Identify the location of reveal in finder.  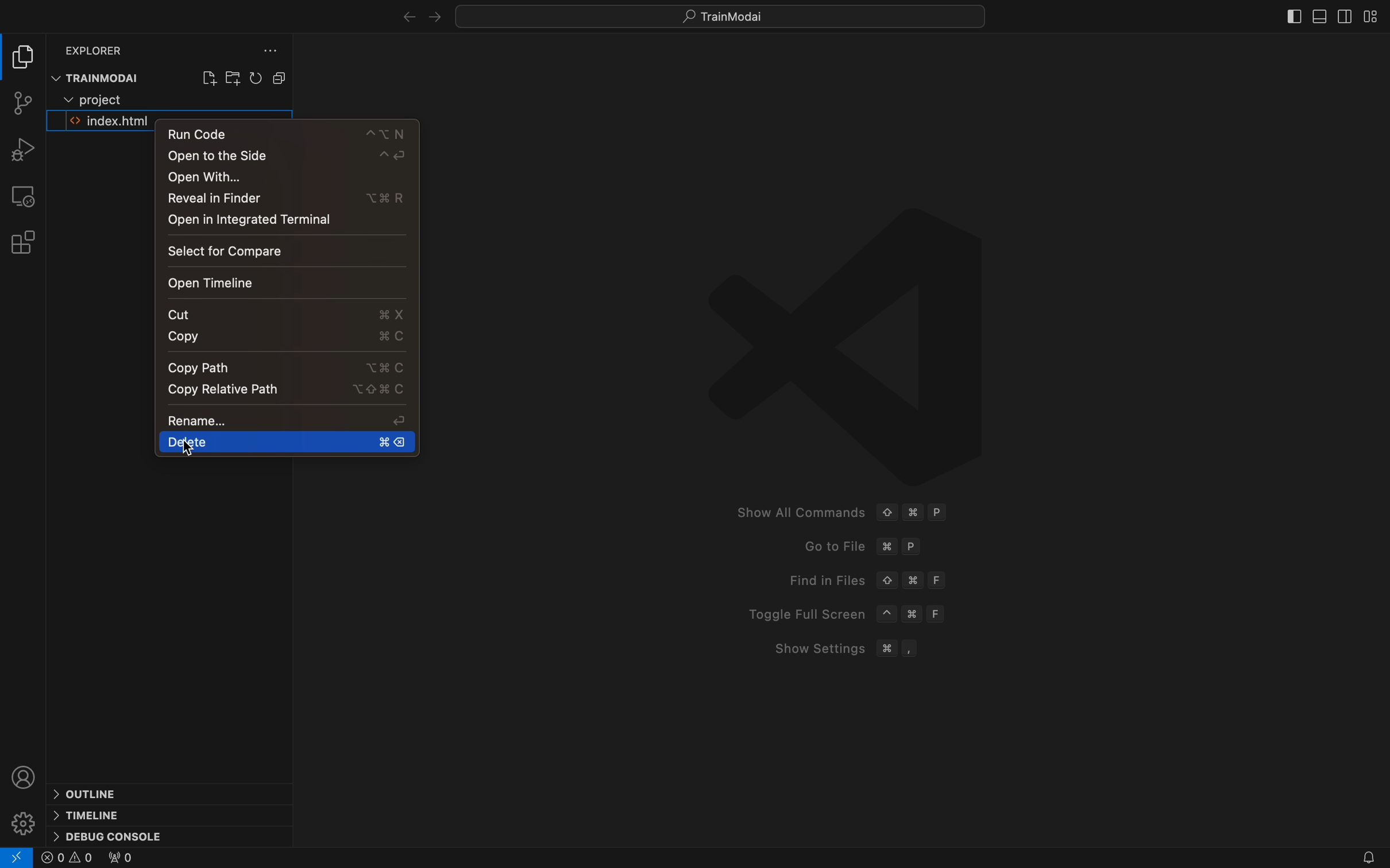
(218, 198).